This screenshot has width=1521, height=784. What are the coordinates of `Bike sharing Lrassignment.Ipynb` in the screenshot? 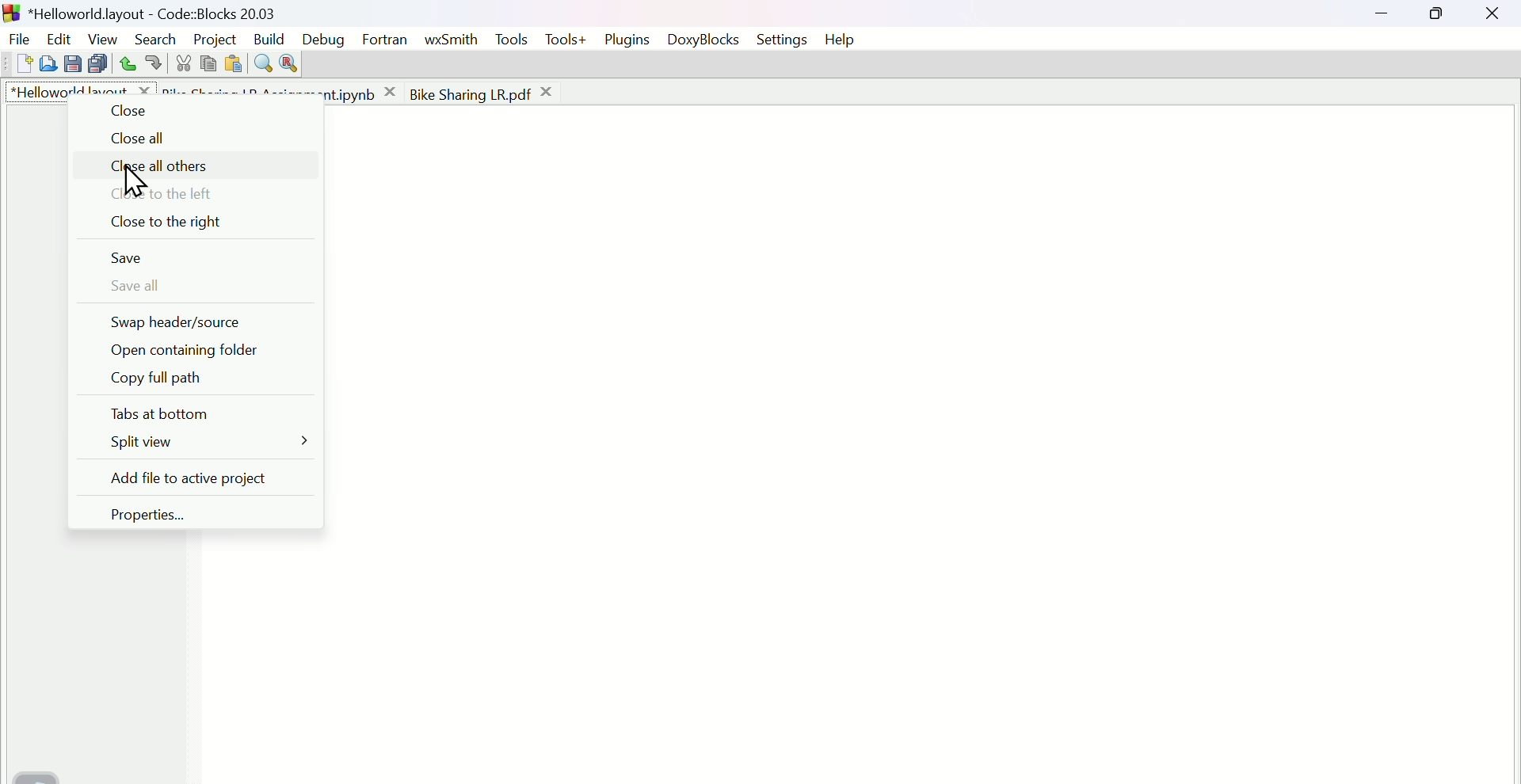 It's located at (280, 91).